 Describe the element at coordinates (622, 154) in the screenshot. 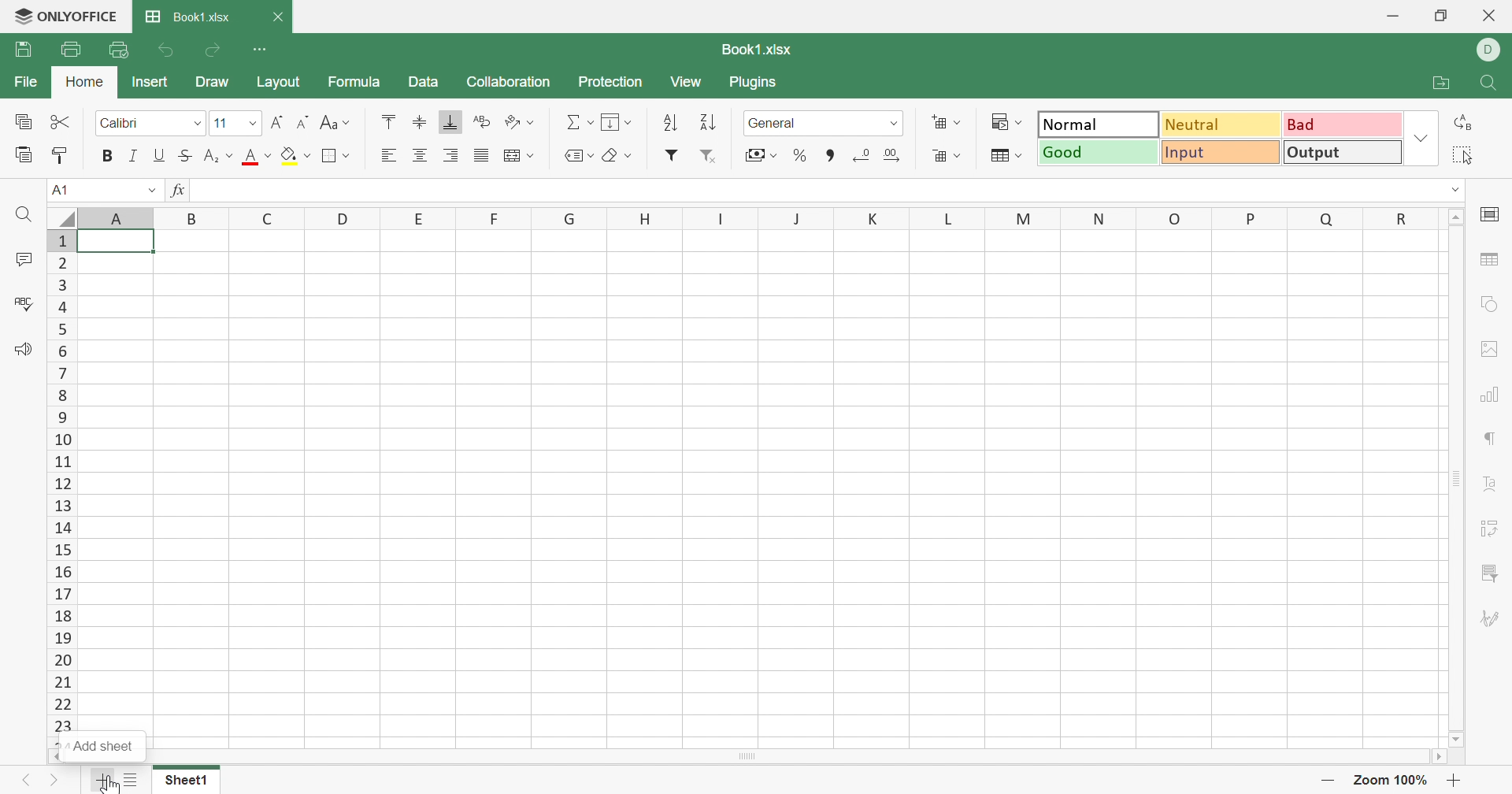

I see `Clear` at that location.